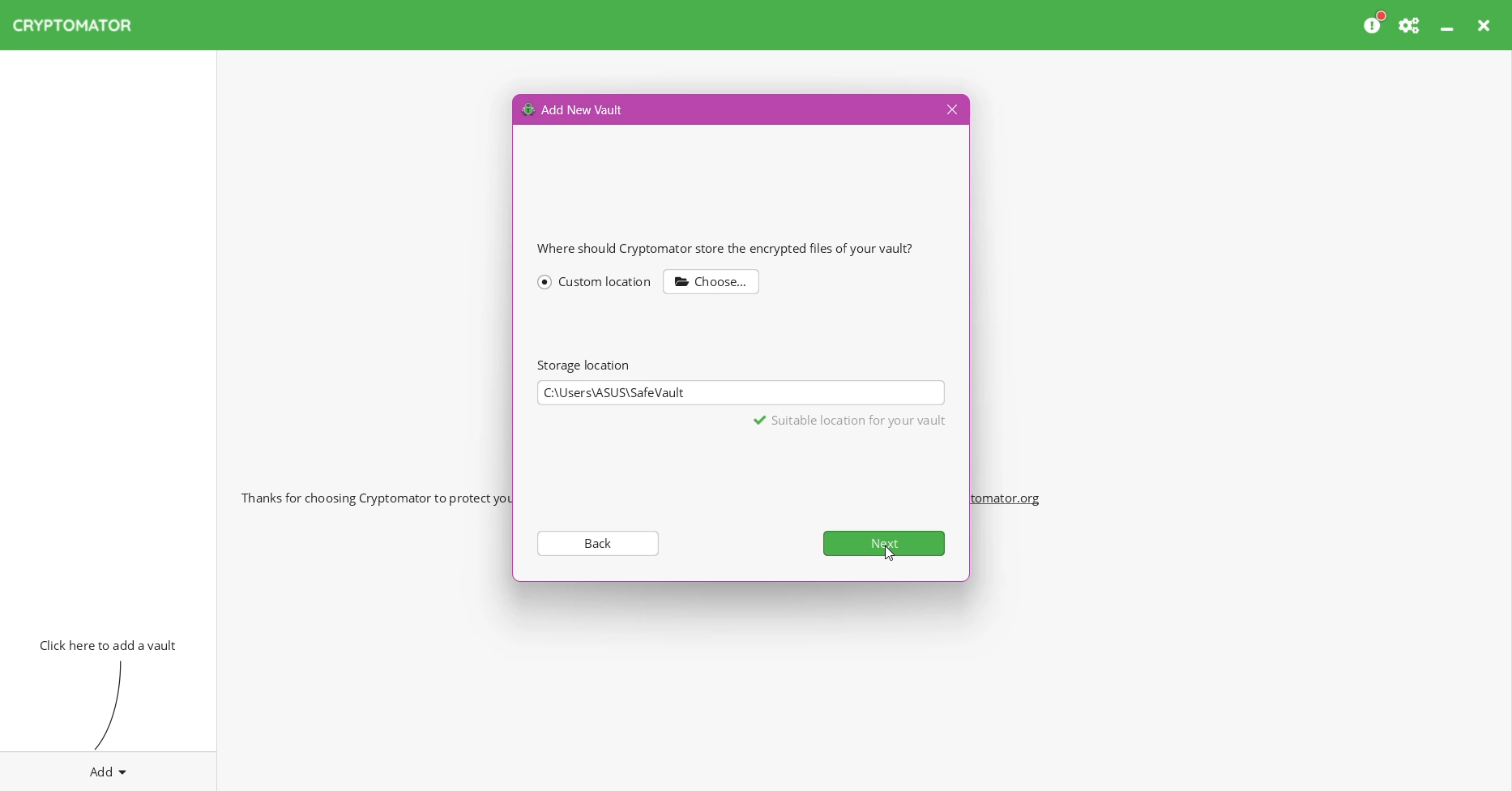 The image size is (1512, 791). What do you see at coordinates (109, 768) in the screenshot?
I see `Add` at bounding box center [109, 768].